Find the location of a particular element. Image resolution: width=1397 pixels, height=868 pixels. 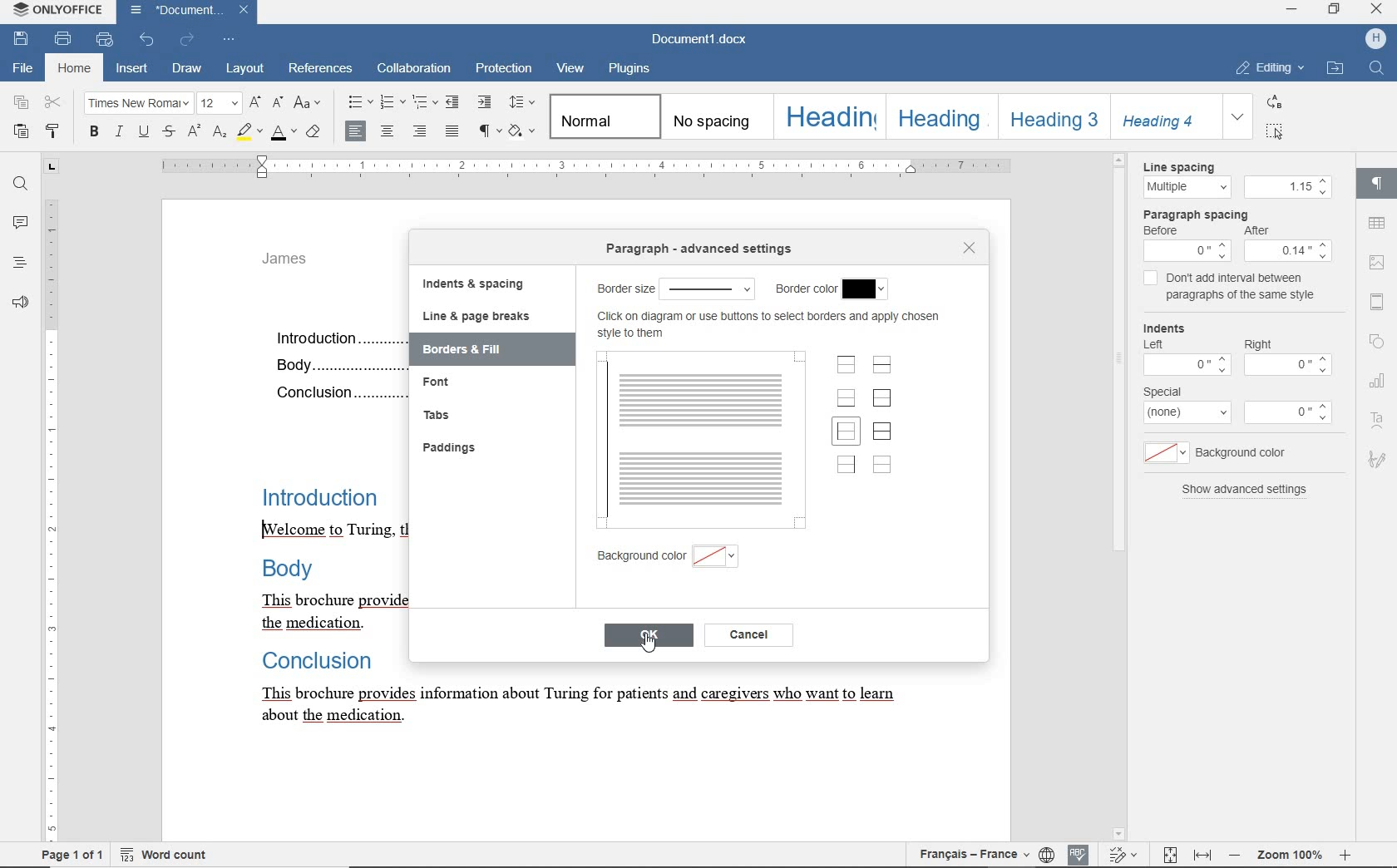

restore down is located at coordinates (1336, 11).